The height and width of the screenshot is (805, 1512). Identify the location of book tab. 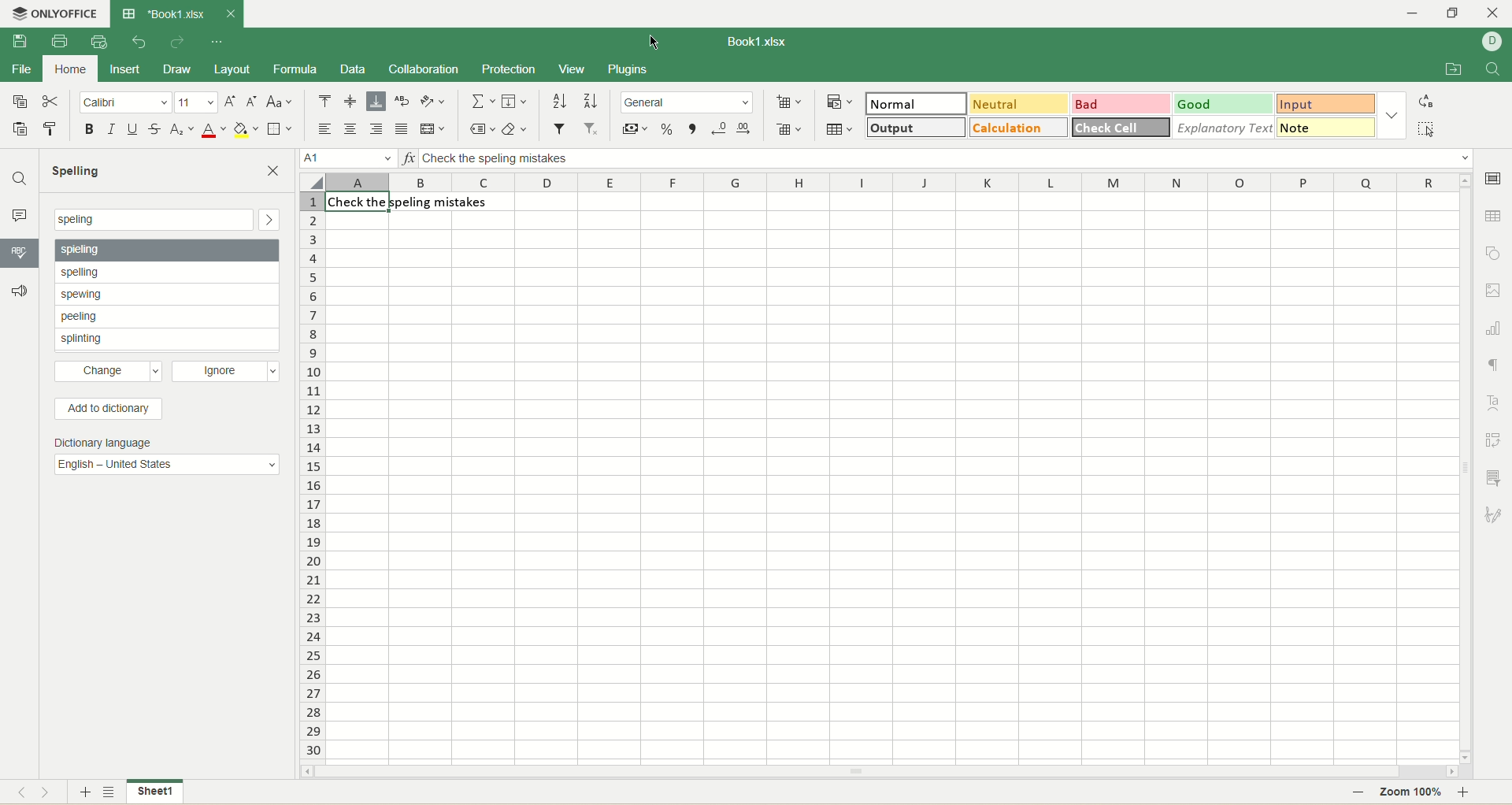
(165, 15).